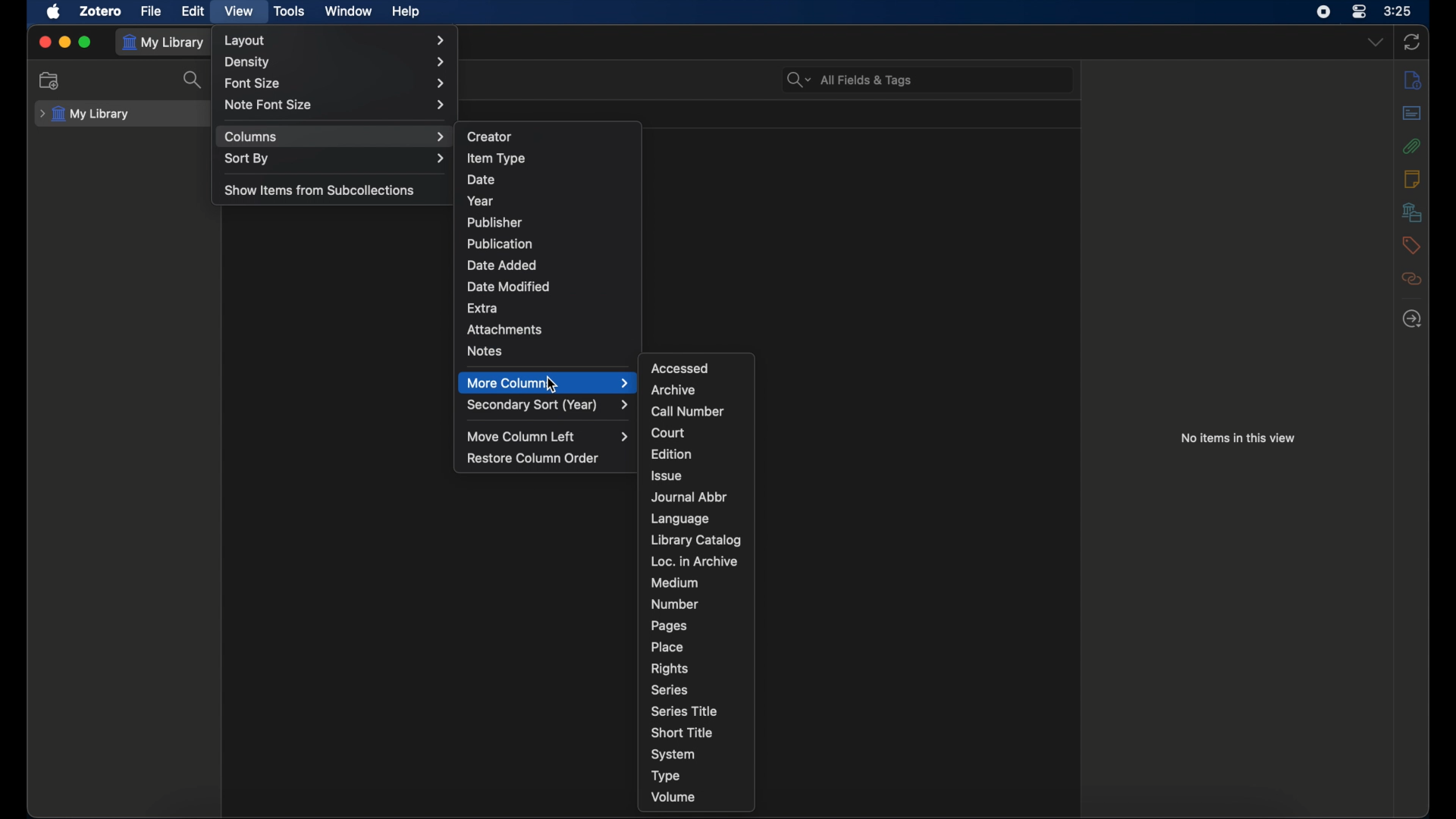 The height and width of the screenshot is (819, 1456). I want to click on density, so click(337, 62).